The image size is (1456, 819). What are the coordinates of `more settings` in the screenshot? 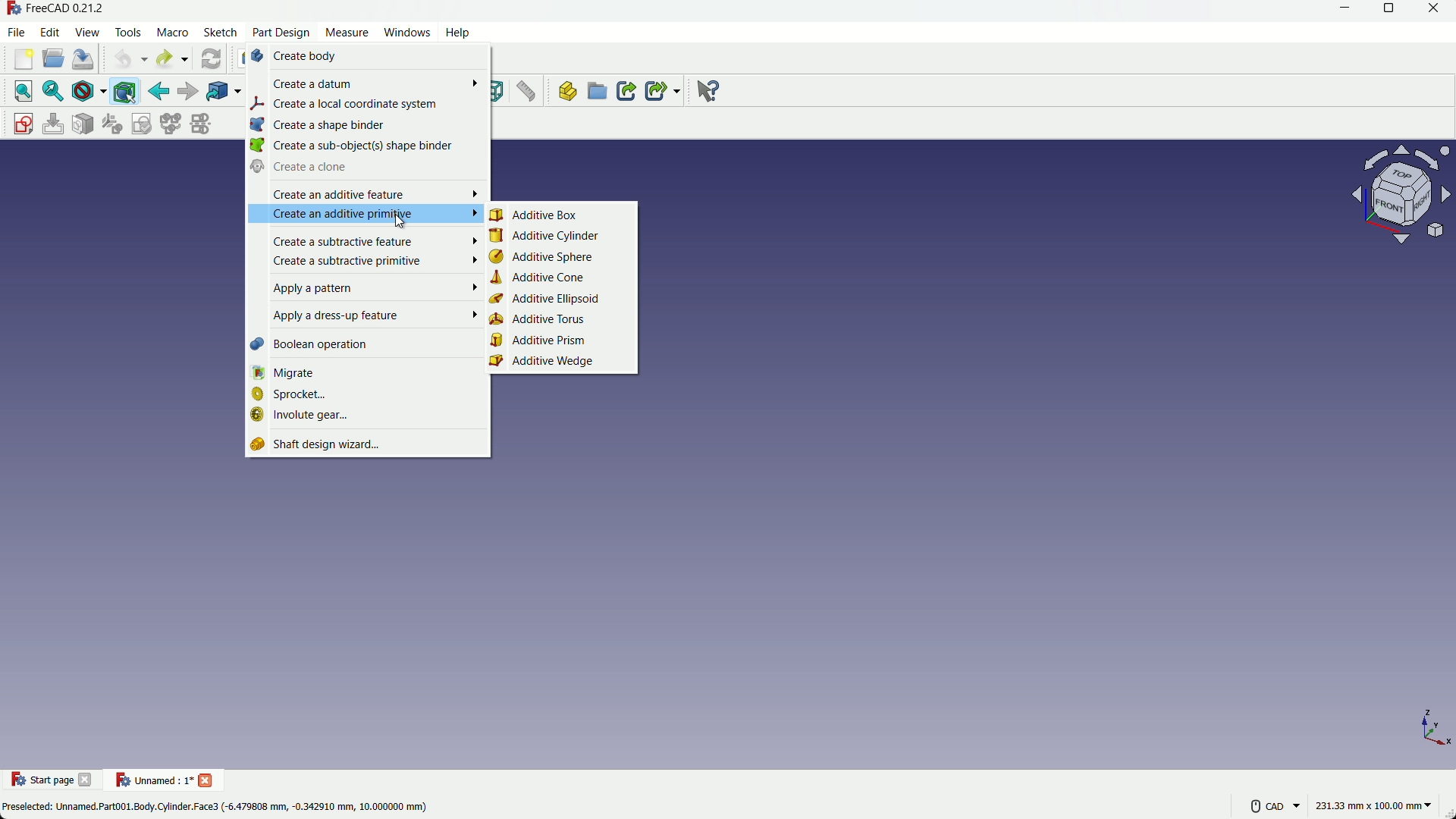 It's located at (1262, 803).